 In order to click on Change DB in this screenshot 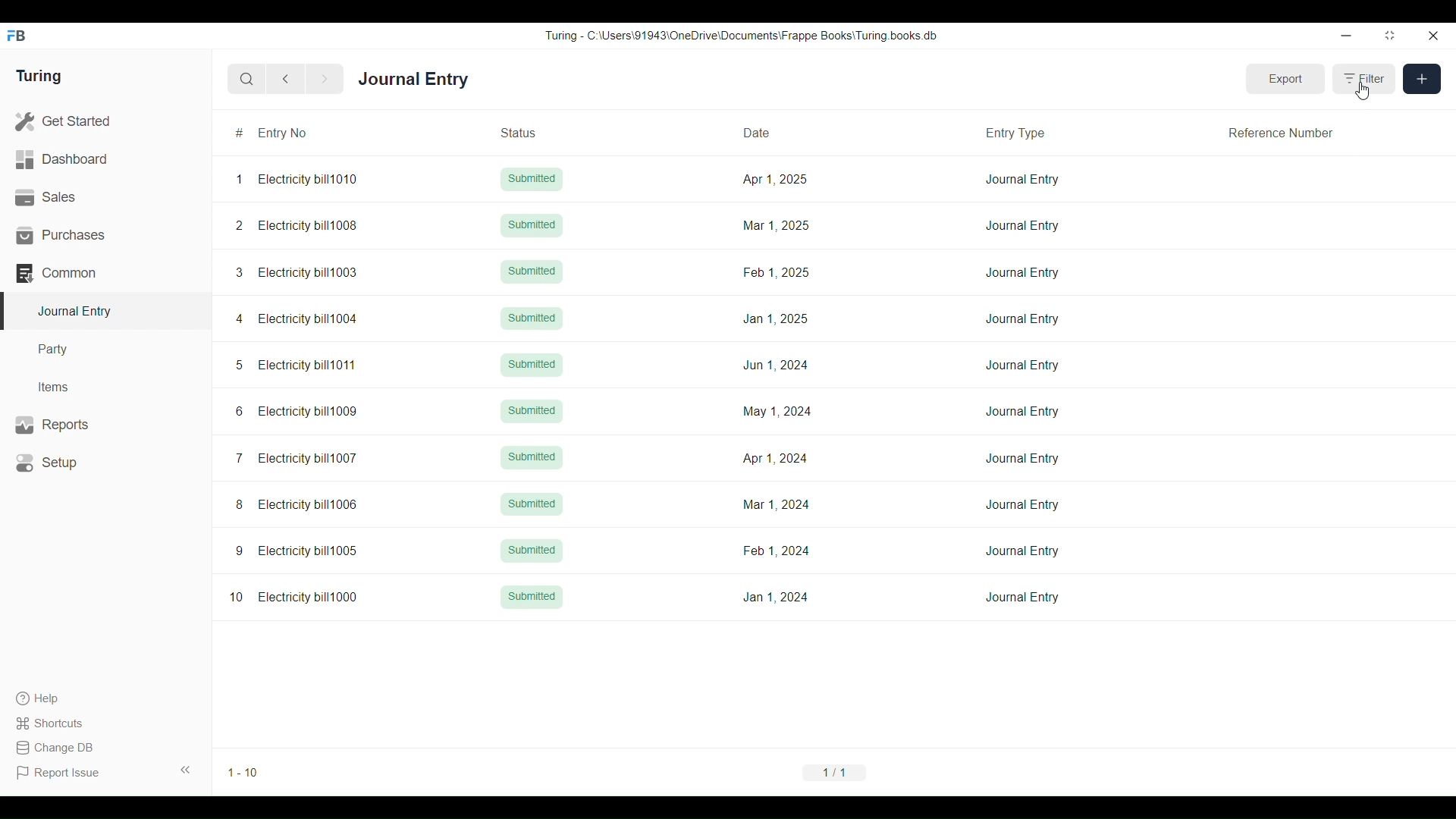, I will do `click(58, 748)`.